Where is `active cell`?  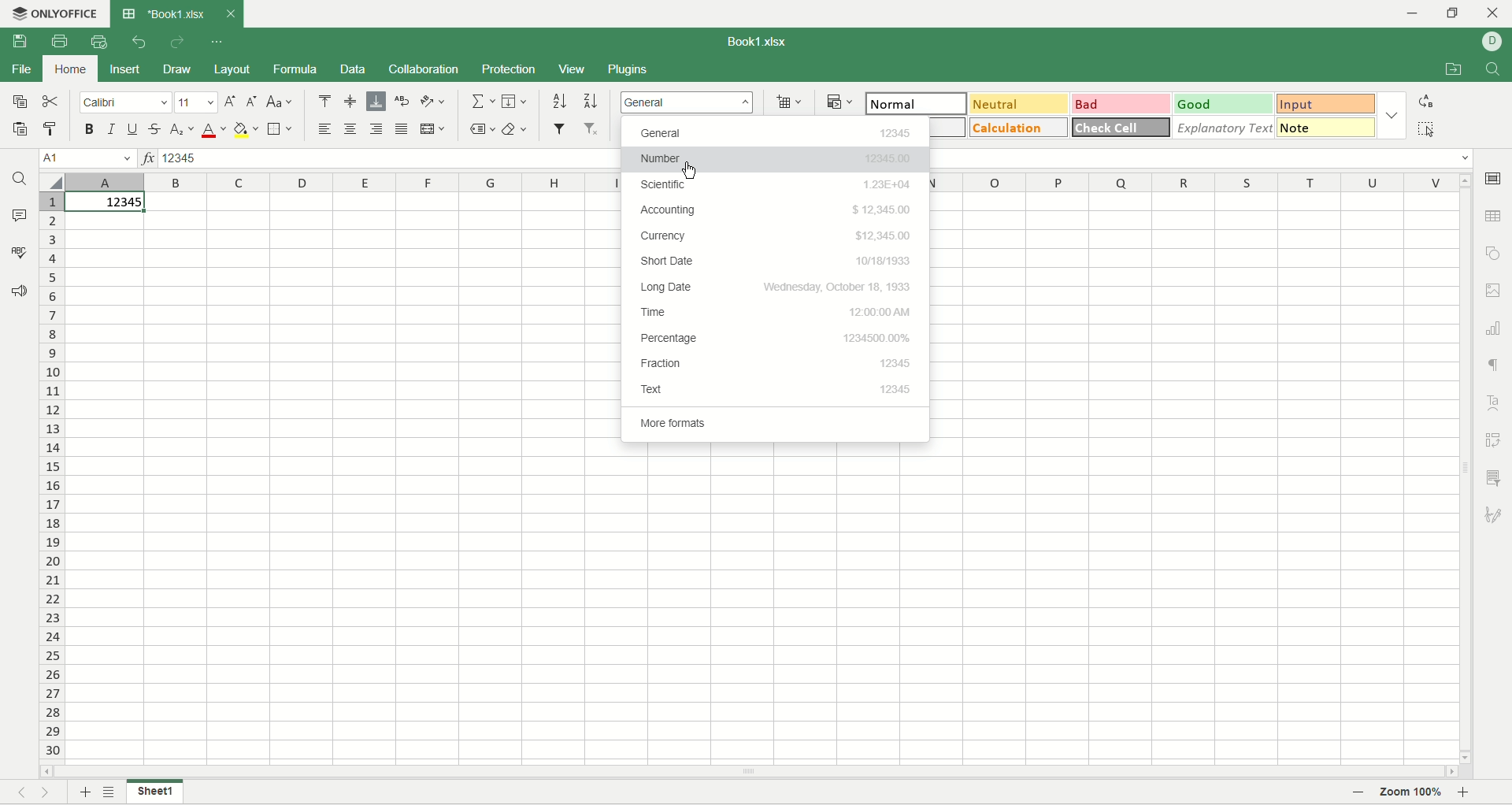
active cell is located at coordinates (107, 205).